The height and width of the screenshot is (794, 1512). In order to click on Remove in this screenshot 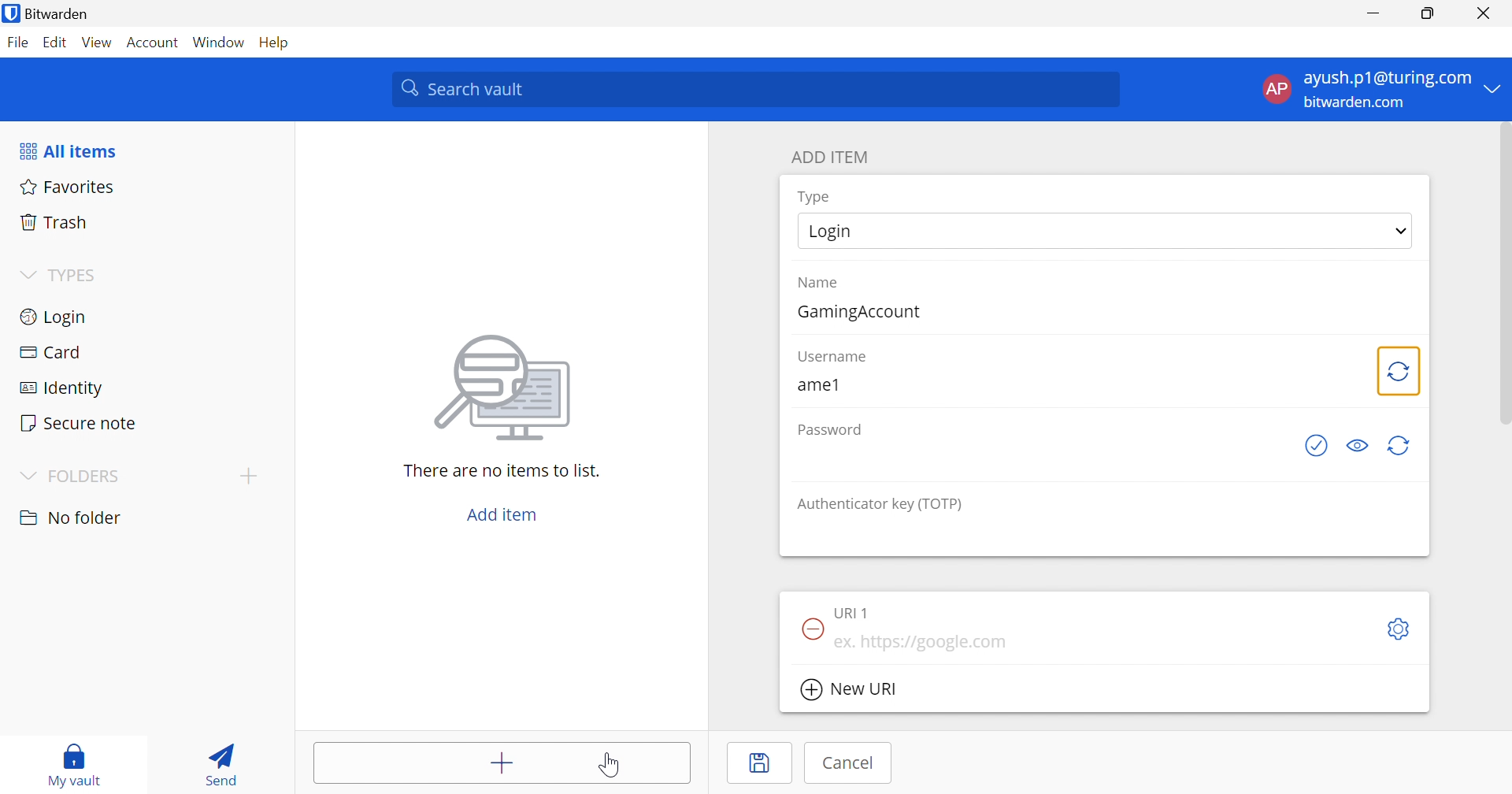, I will do `click(810, 627)`.